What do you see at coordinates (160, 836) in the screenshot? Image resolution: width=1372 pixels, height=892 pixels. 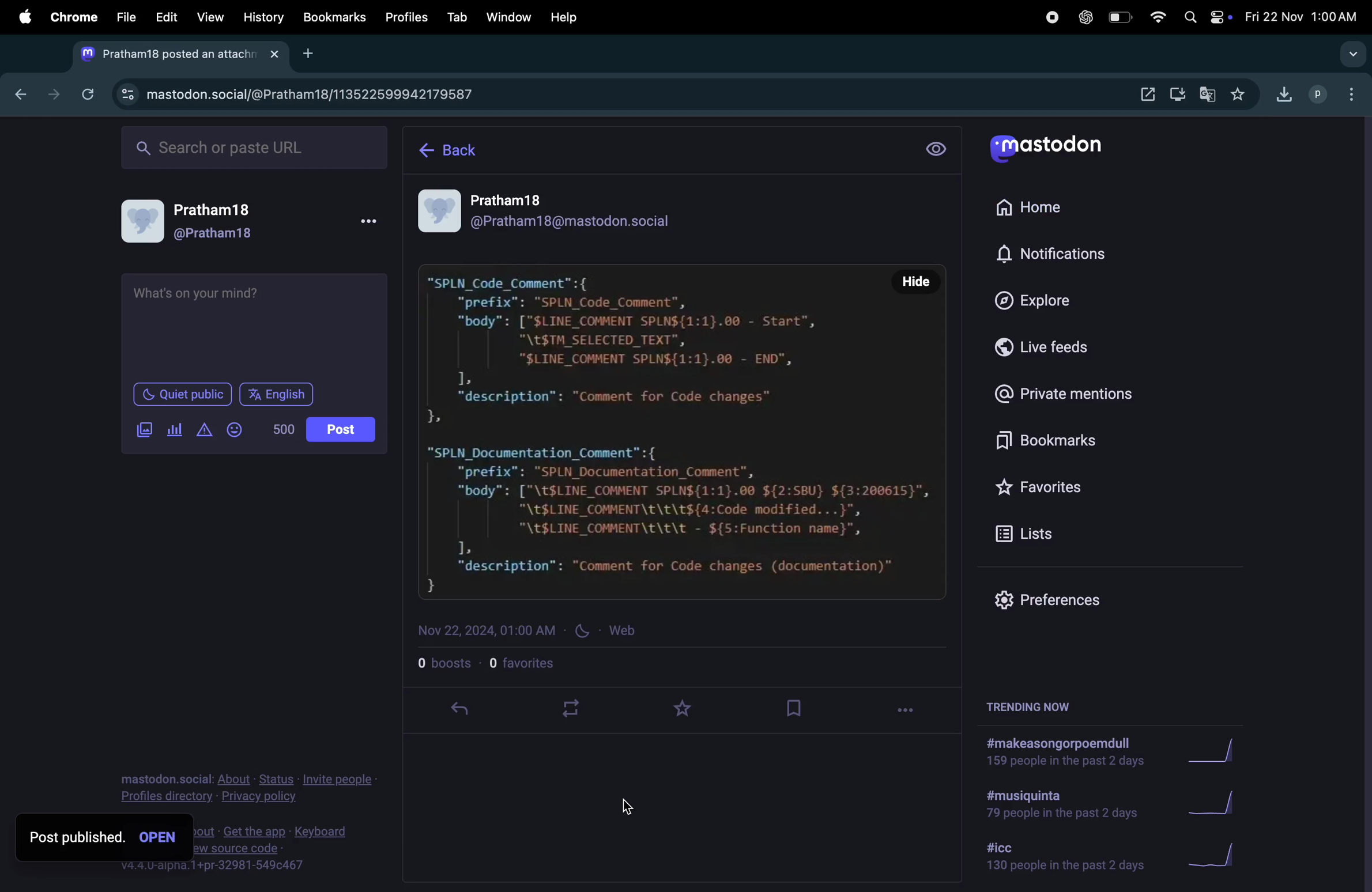 I see `cursor` at bounding box center [160, 836].